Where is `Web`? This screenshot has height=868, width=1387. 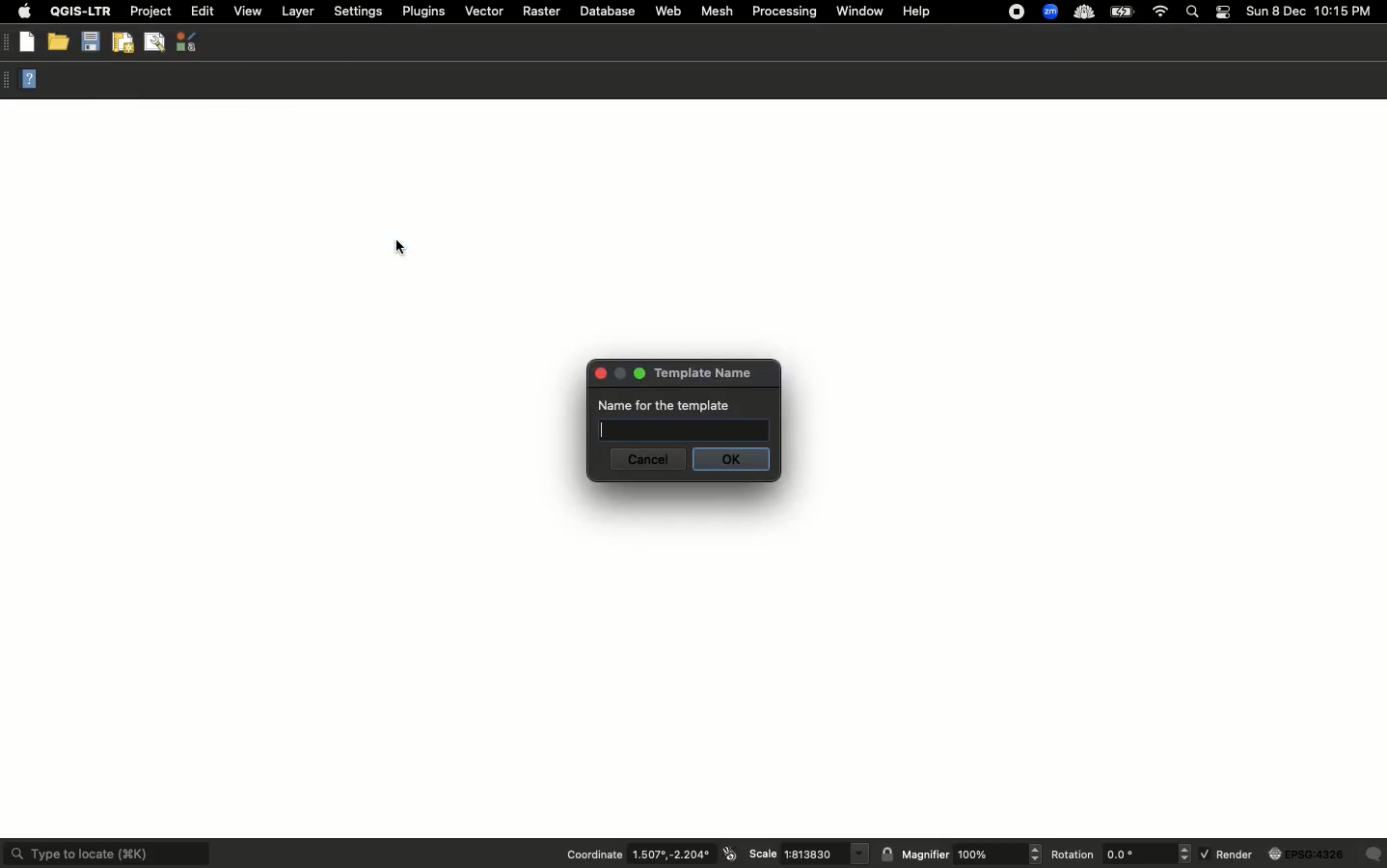 Web is located at coordinates (669, 10).